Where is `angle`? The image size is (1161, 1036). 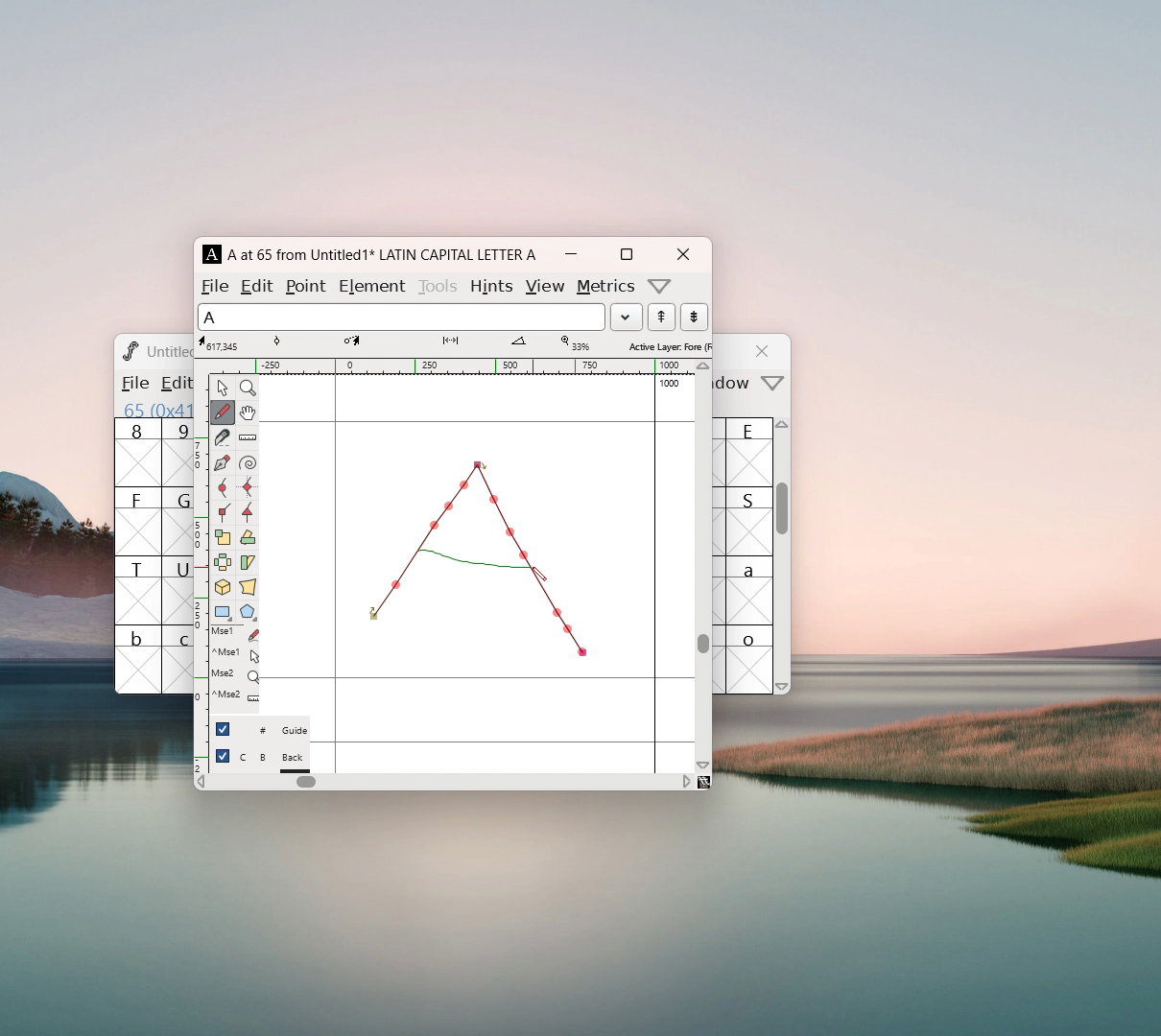
angle is located at coordinates (527, 343).